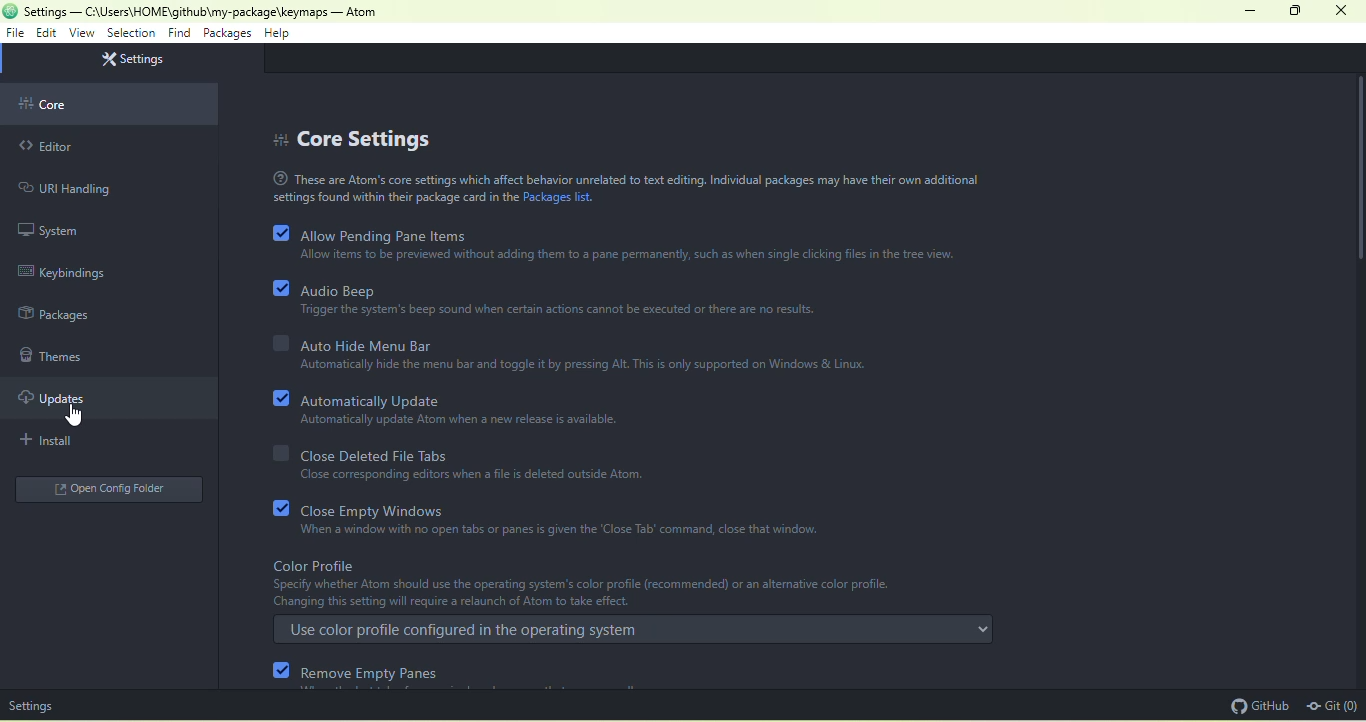 Image resolution: width=1366 pixels, height=722 pixels. Describe the element at coordinates (17, 35) in the screenshot. I see `file` at that location.